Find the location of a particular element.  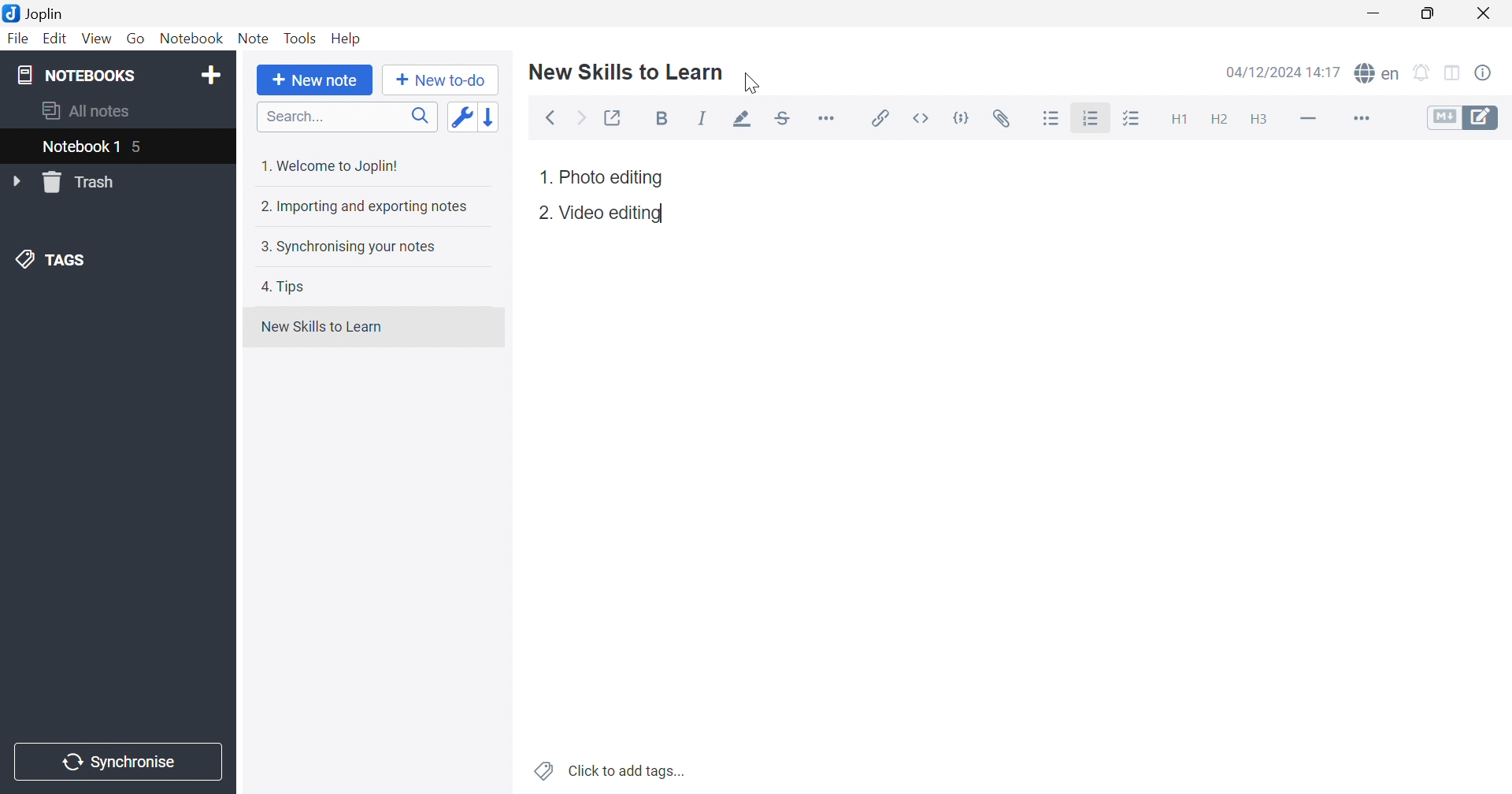

More... is located at coordinates (826, 117).